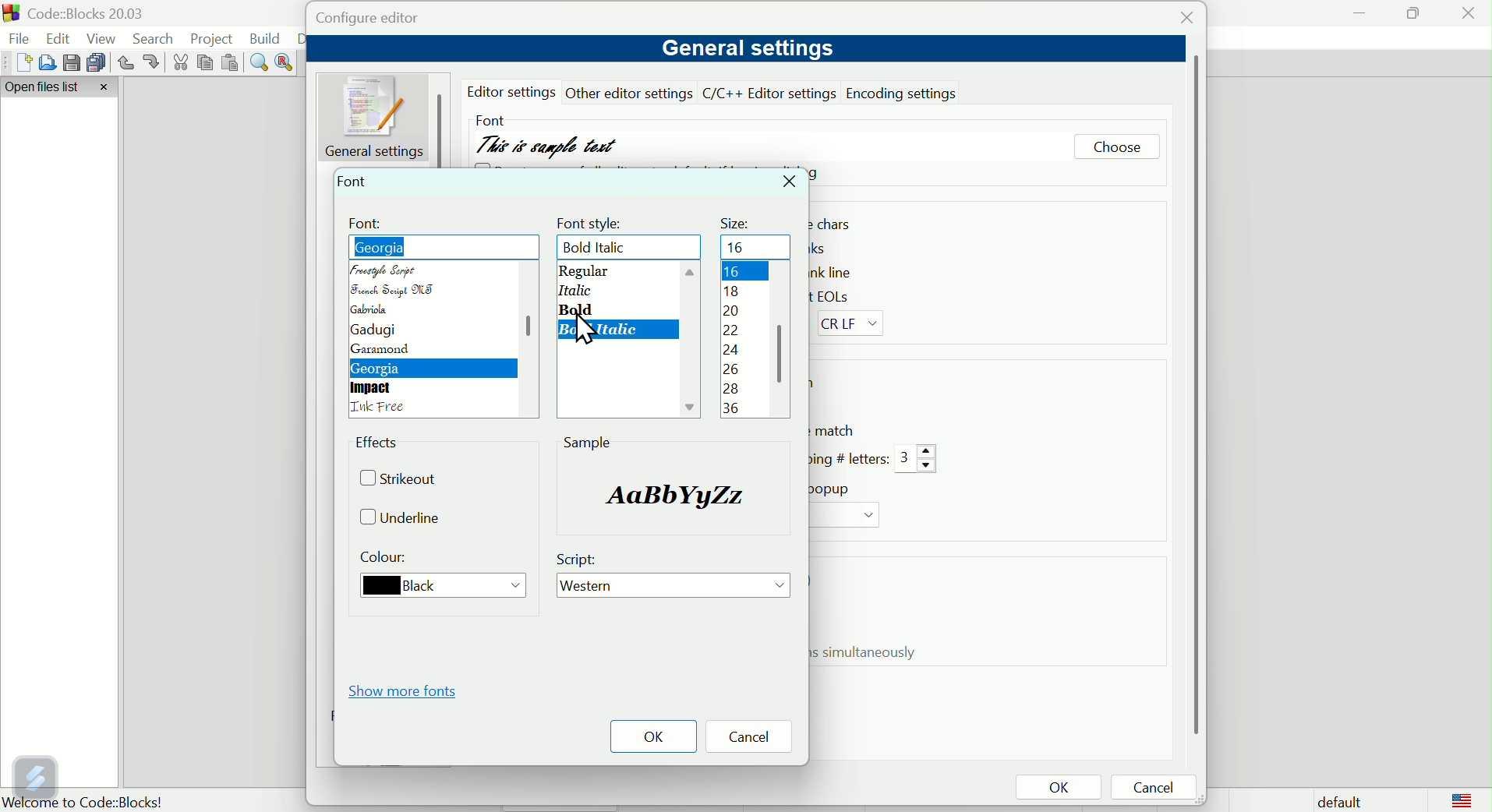 The width and height of the screenshot is (1492, 812). I want to click on Garamond, so click(383, 351).